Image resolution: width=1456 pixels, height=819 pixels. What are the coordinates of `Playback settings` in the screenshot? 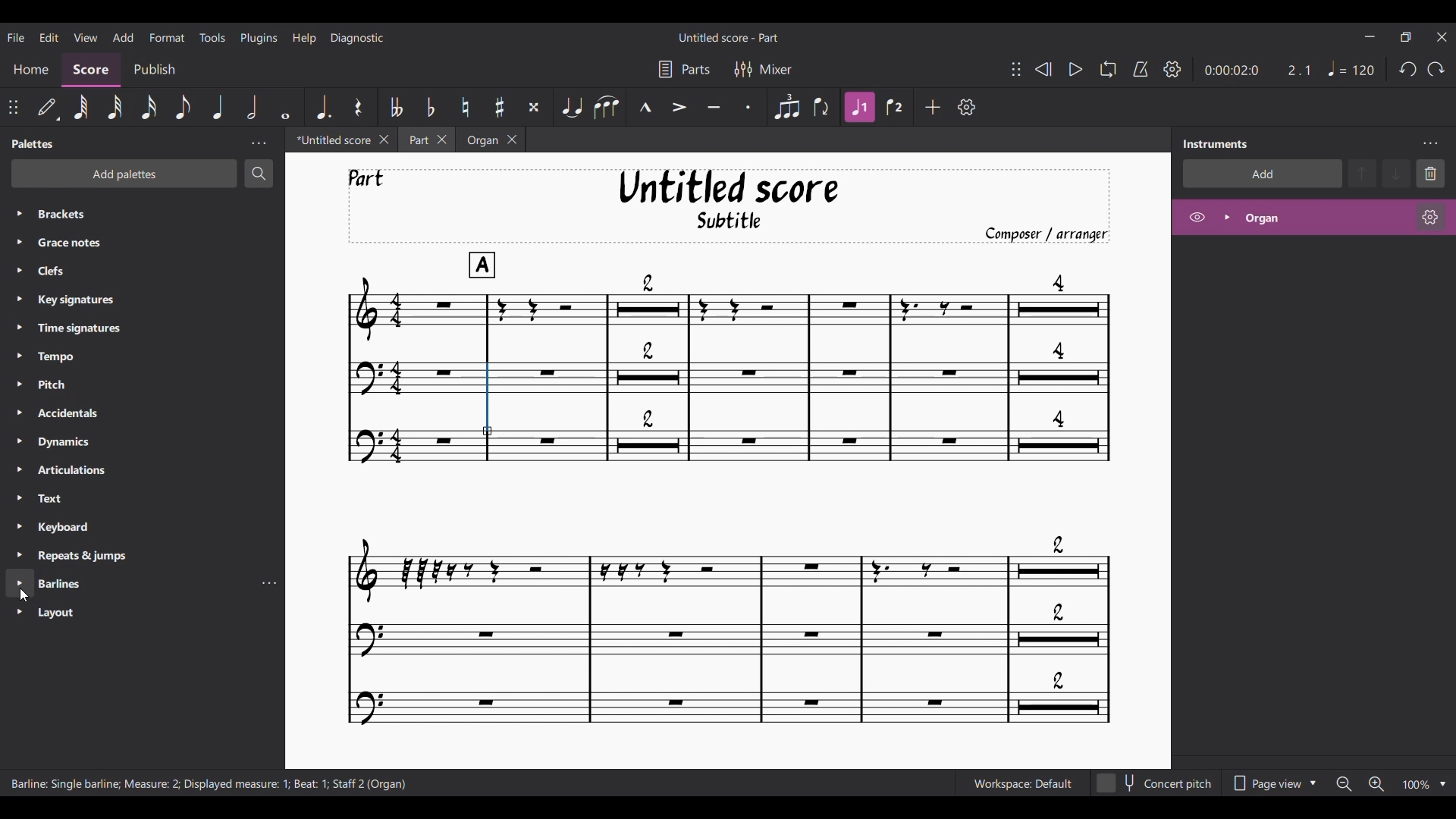 It's located at (1172, 68).